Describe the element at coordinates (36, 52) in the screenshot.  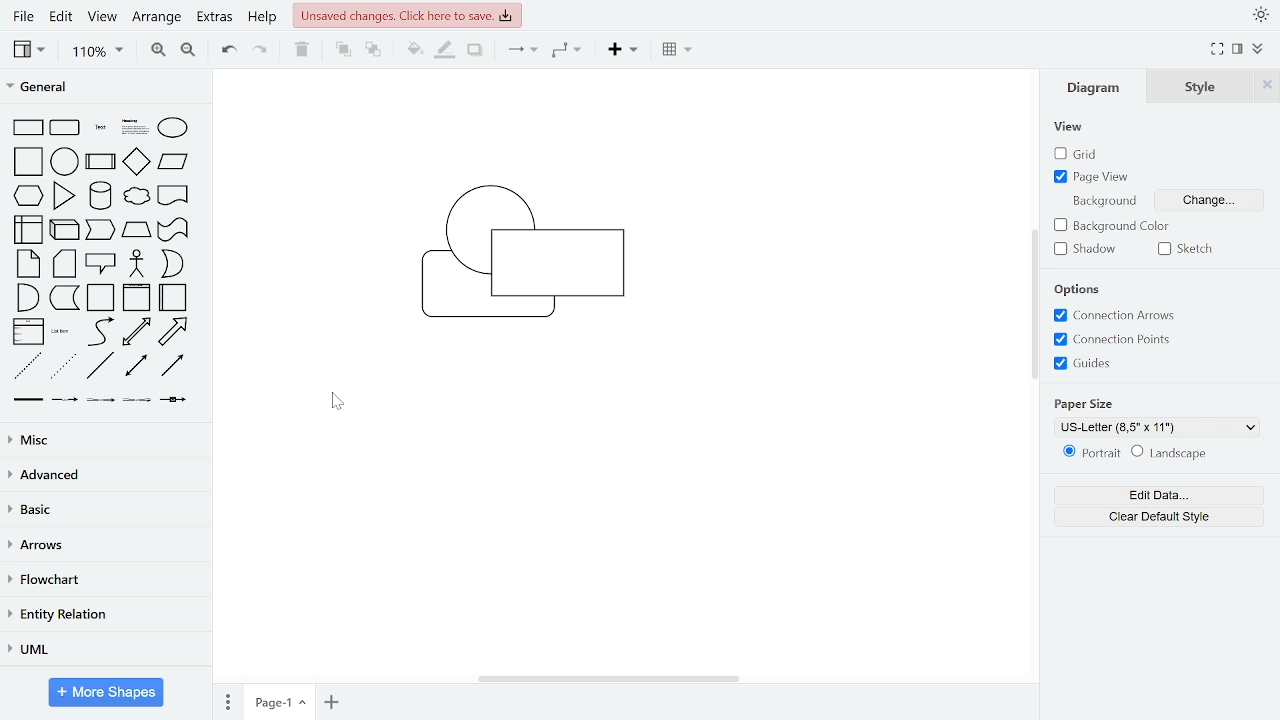
I see `view` at that location.